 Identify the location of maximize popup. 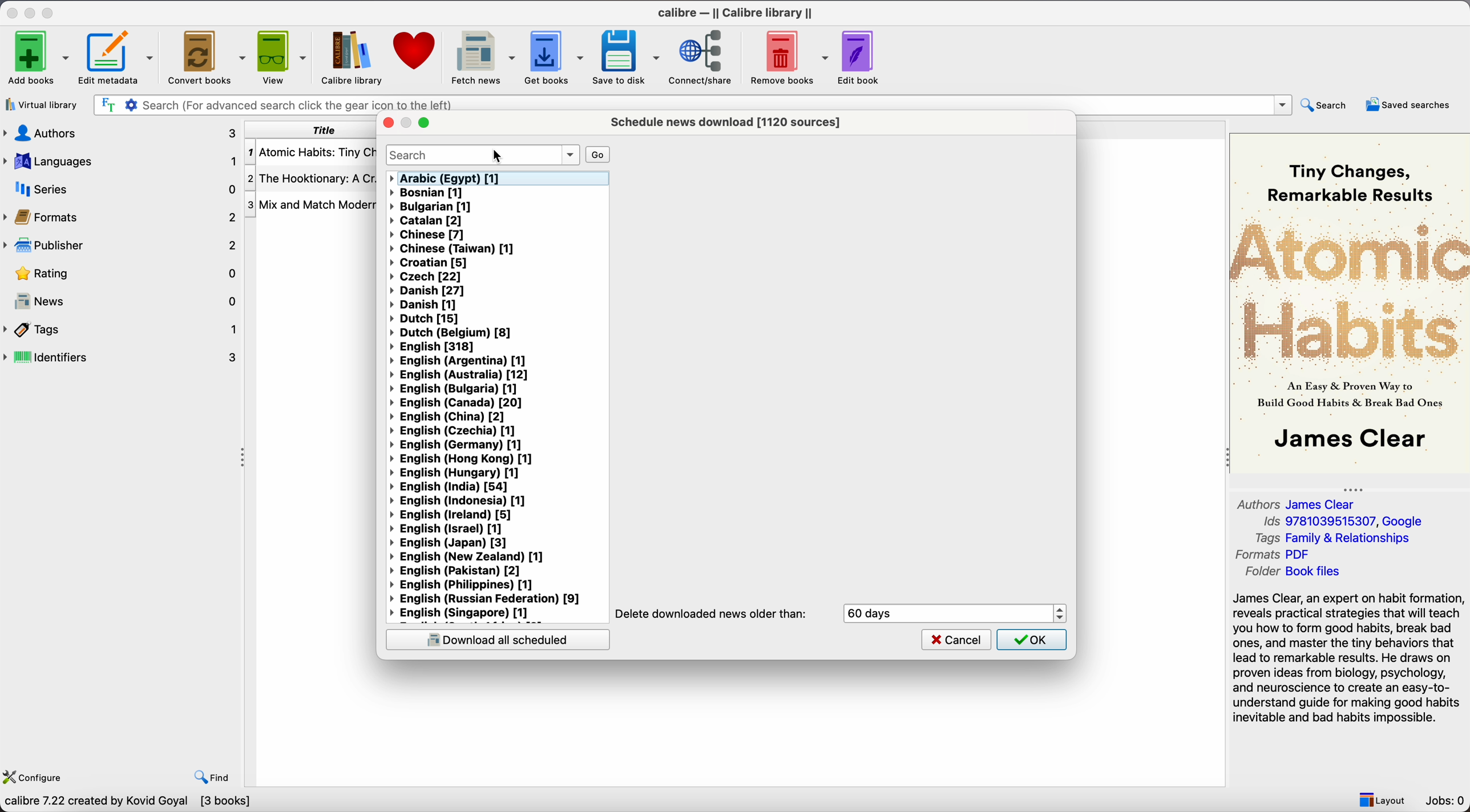
(423, 123).